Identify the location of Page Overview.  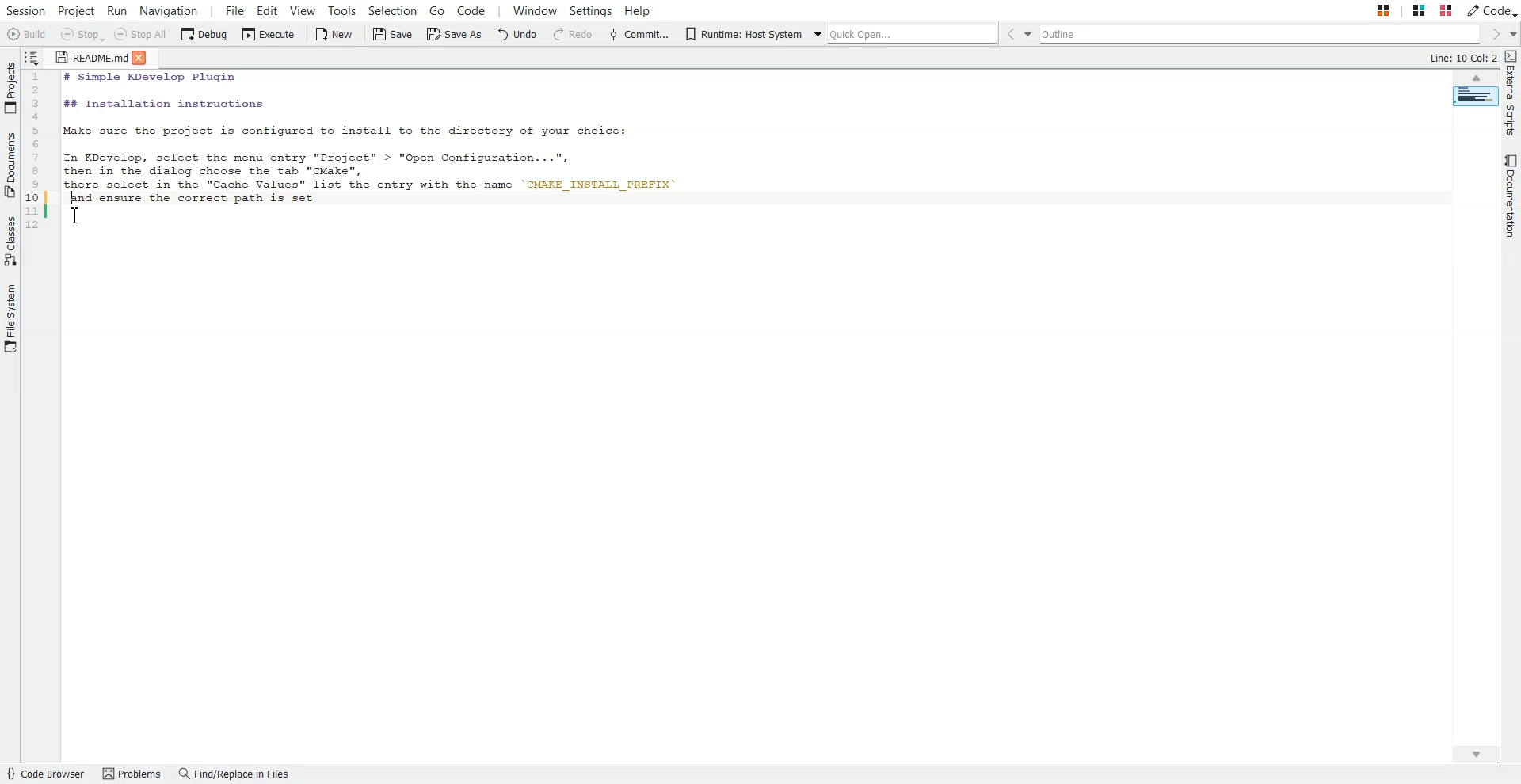
(1475, 96).